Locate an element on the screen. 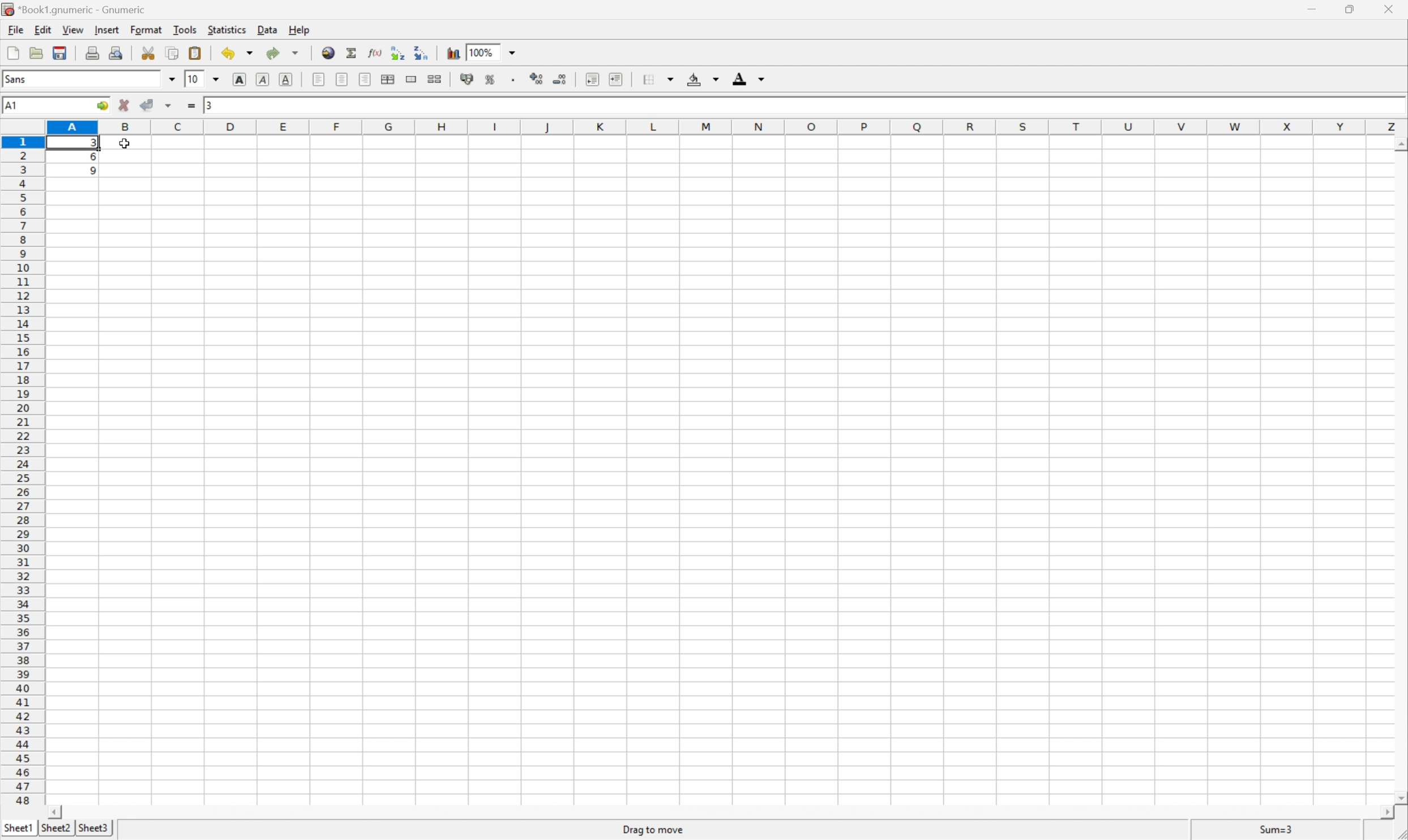  Insert a chart is located at coordinates (454, 53).